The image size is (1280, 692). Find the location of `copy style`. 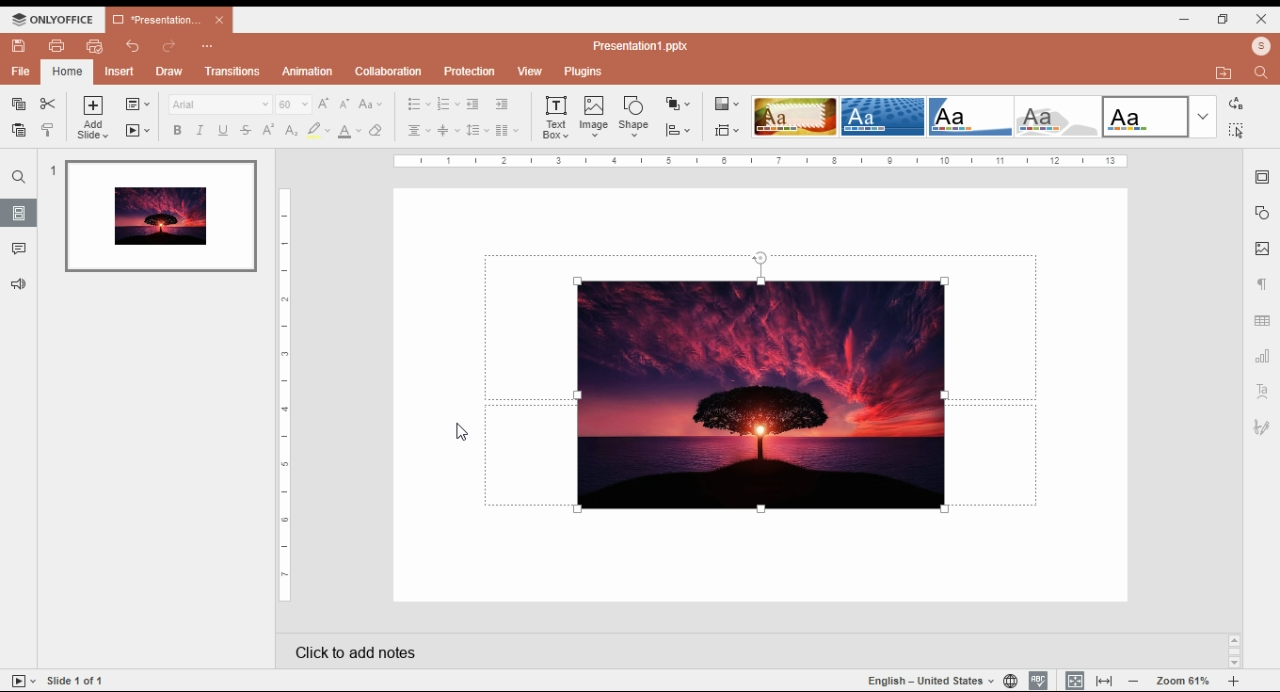

copy style is located at coordinates (49, 129).